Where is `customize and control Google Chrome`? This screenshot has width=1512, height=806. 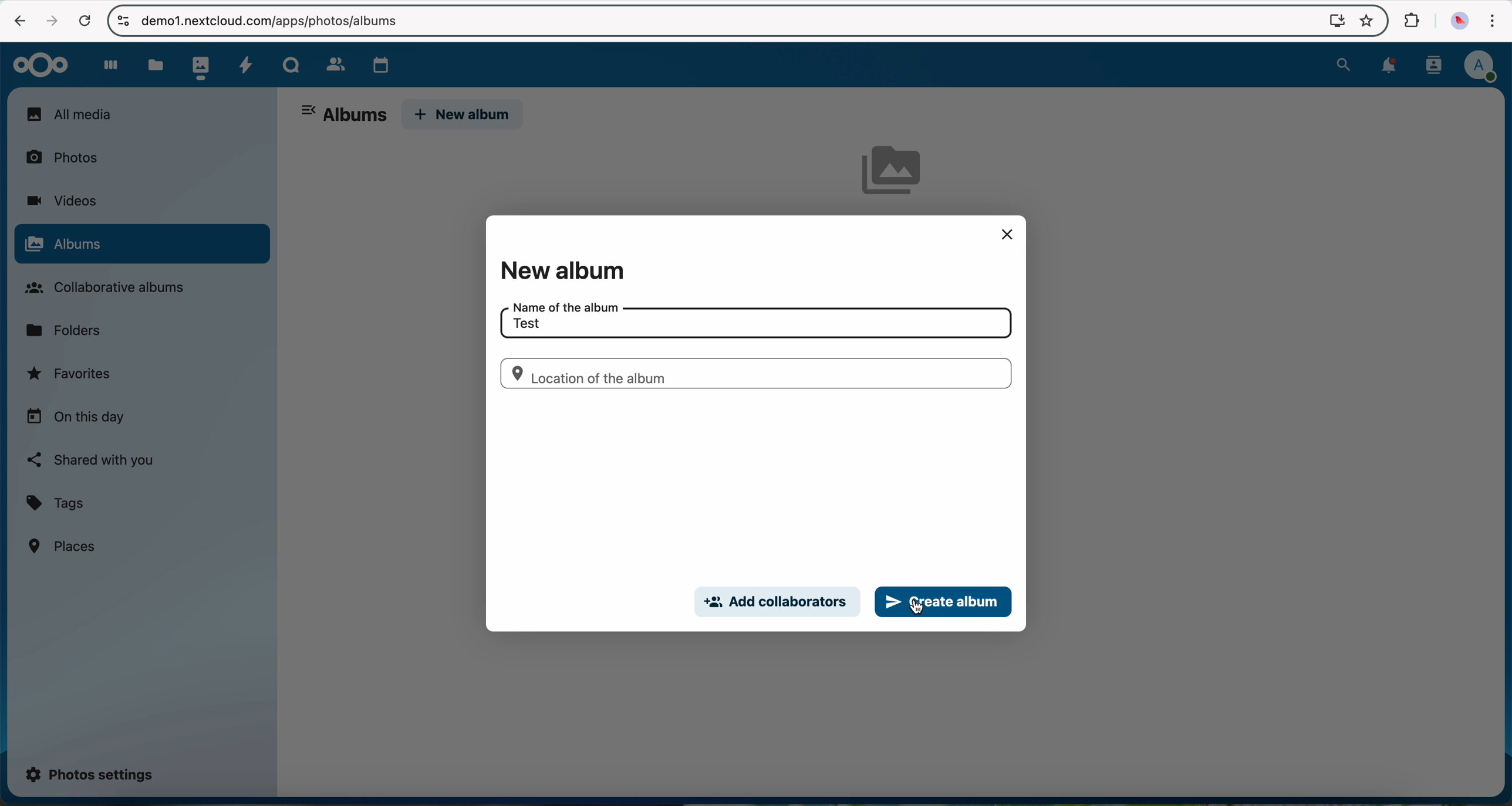 customize and control Google Chrome is located at coordinates (1491, 23).